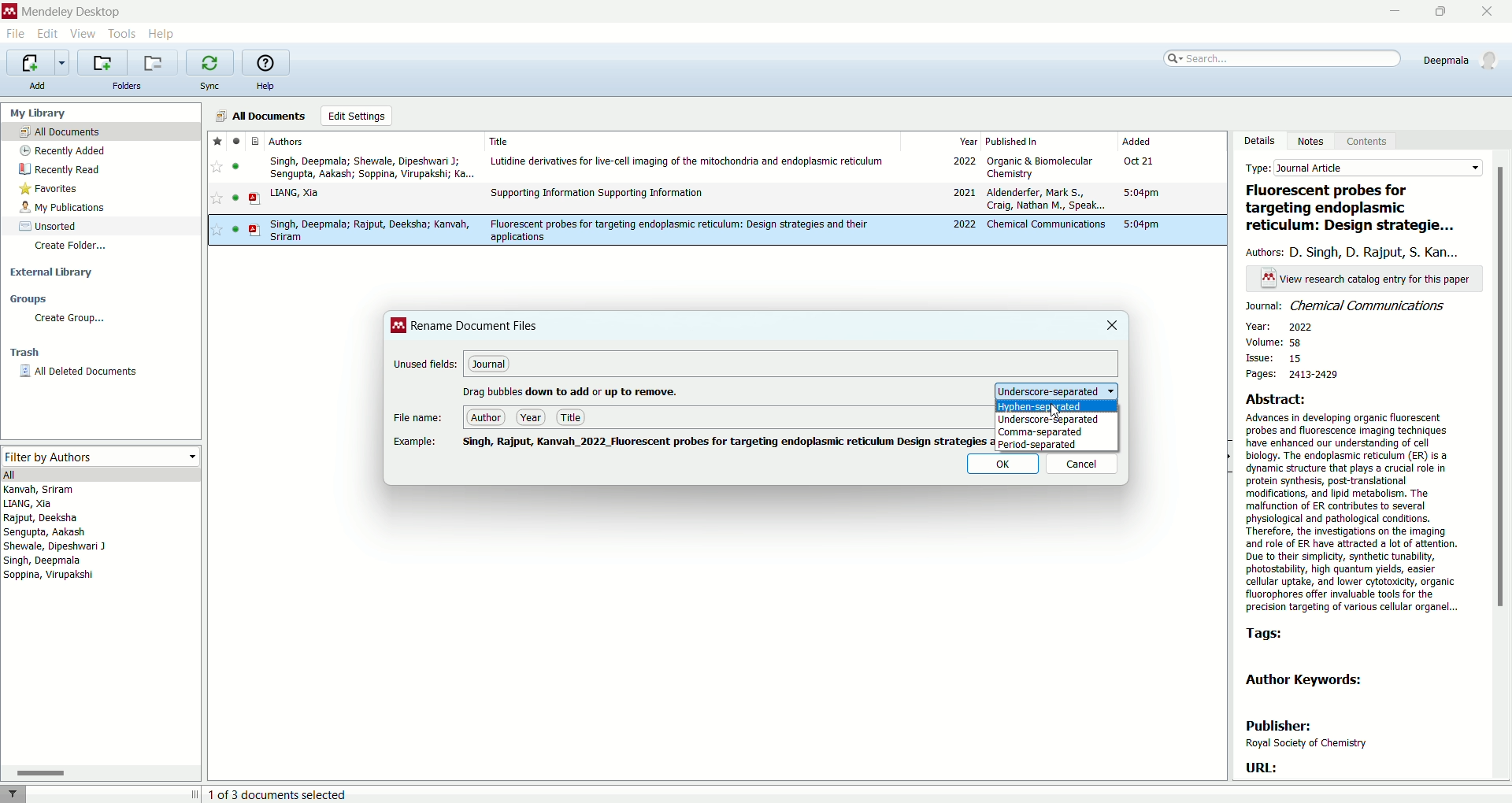  I want to click on Singh, Deepmala; Shewale, Dipeshwari J;
Sengupta, Aakash; Soppina, Virupakshi; Ka..., so click(369, 167).